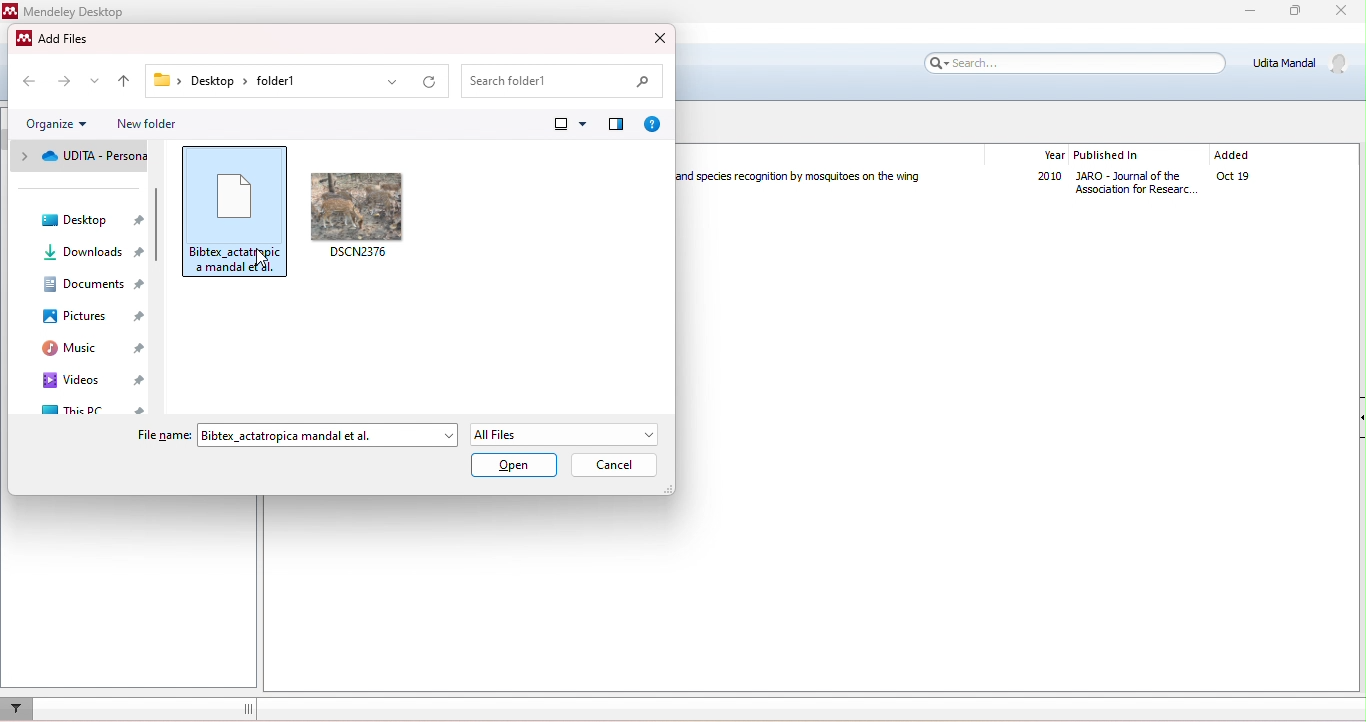  What do you see at coordinates (96, 80) in the screenshot?
I see `drop down` at bounding box center [96, 80].